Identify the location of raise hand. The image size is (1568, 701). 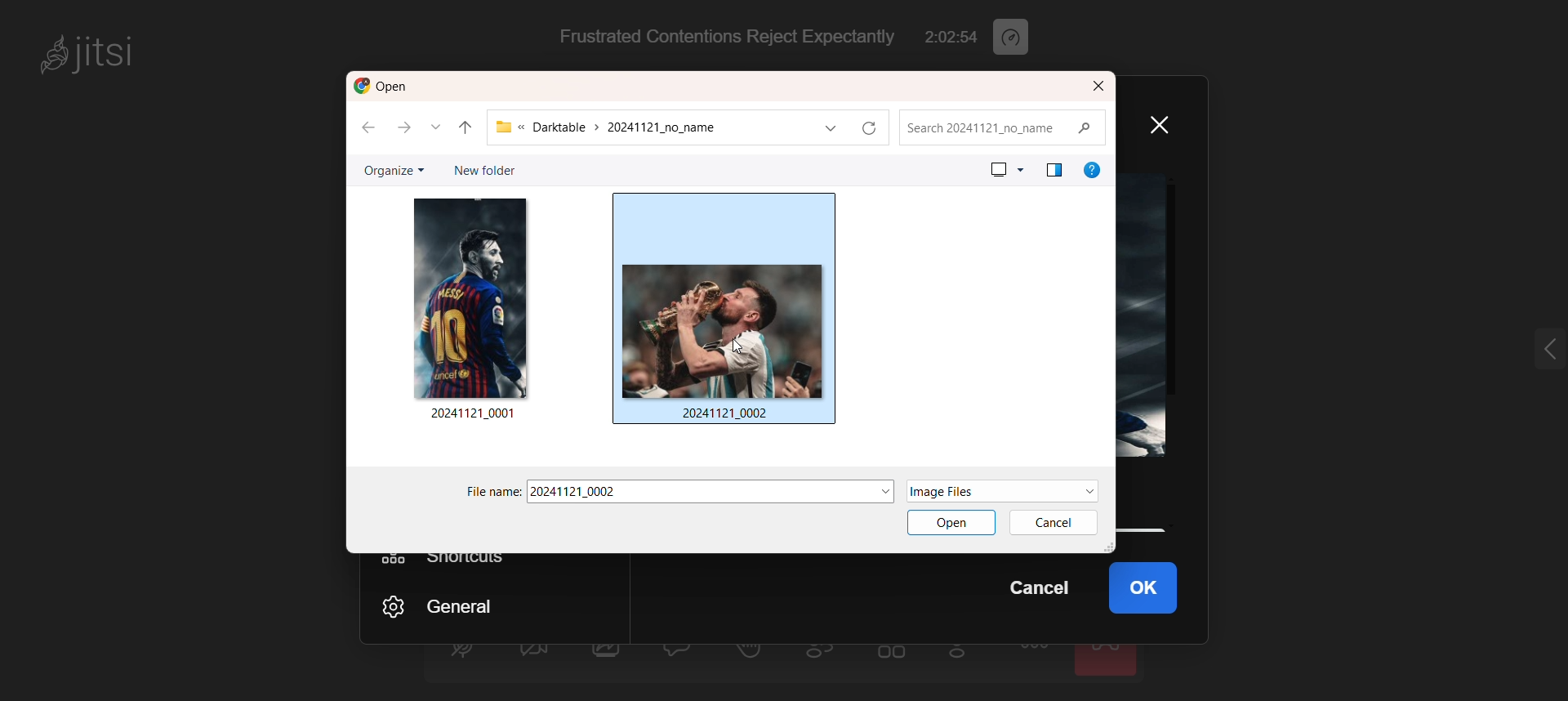
(750, 656).